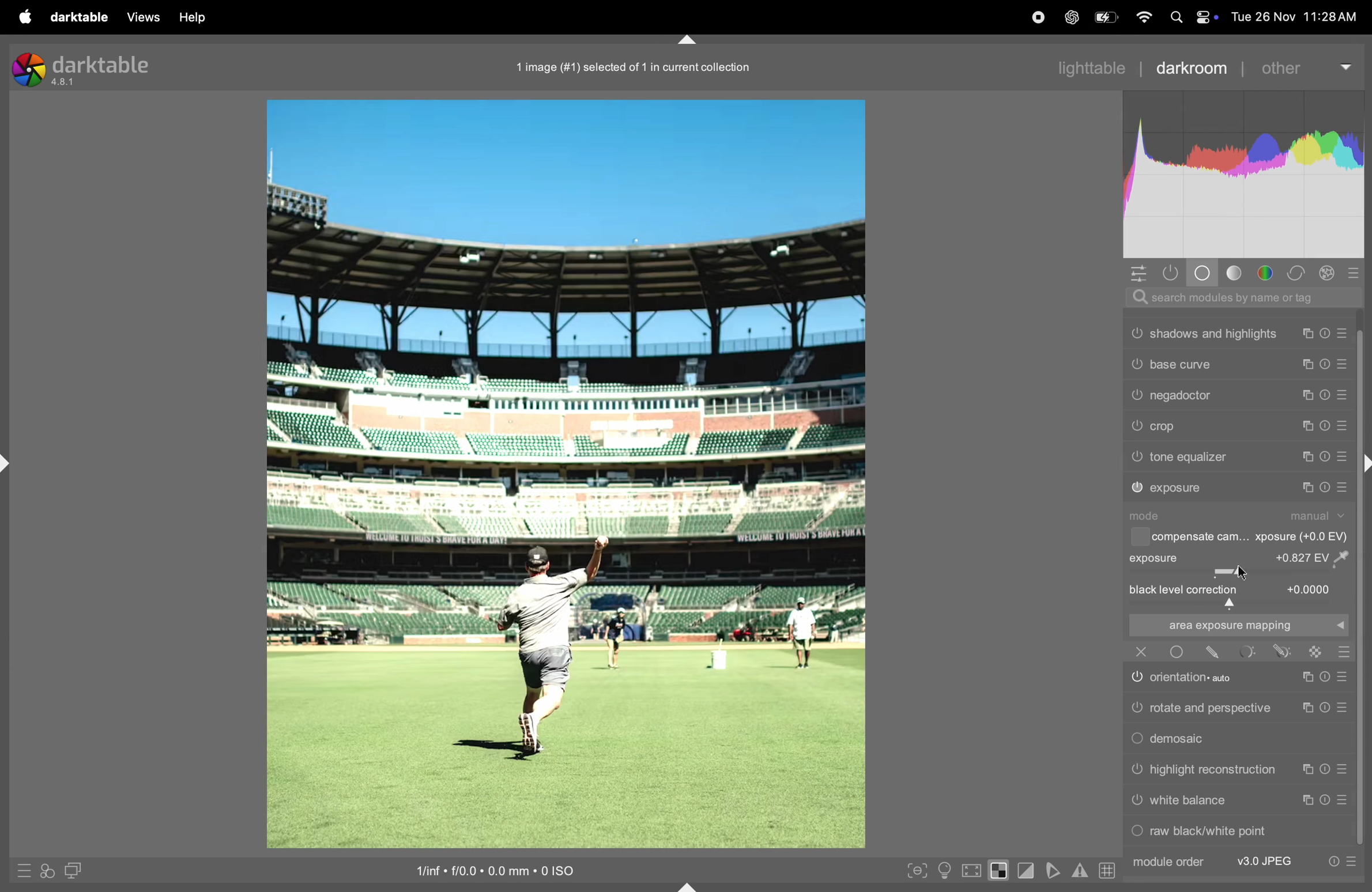 This screenshot has width=1372, height=892. Describe the element at coordinates (1298, 16) in the screenshot. I see `date and time` at that location.